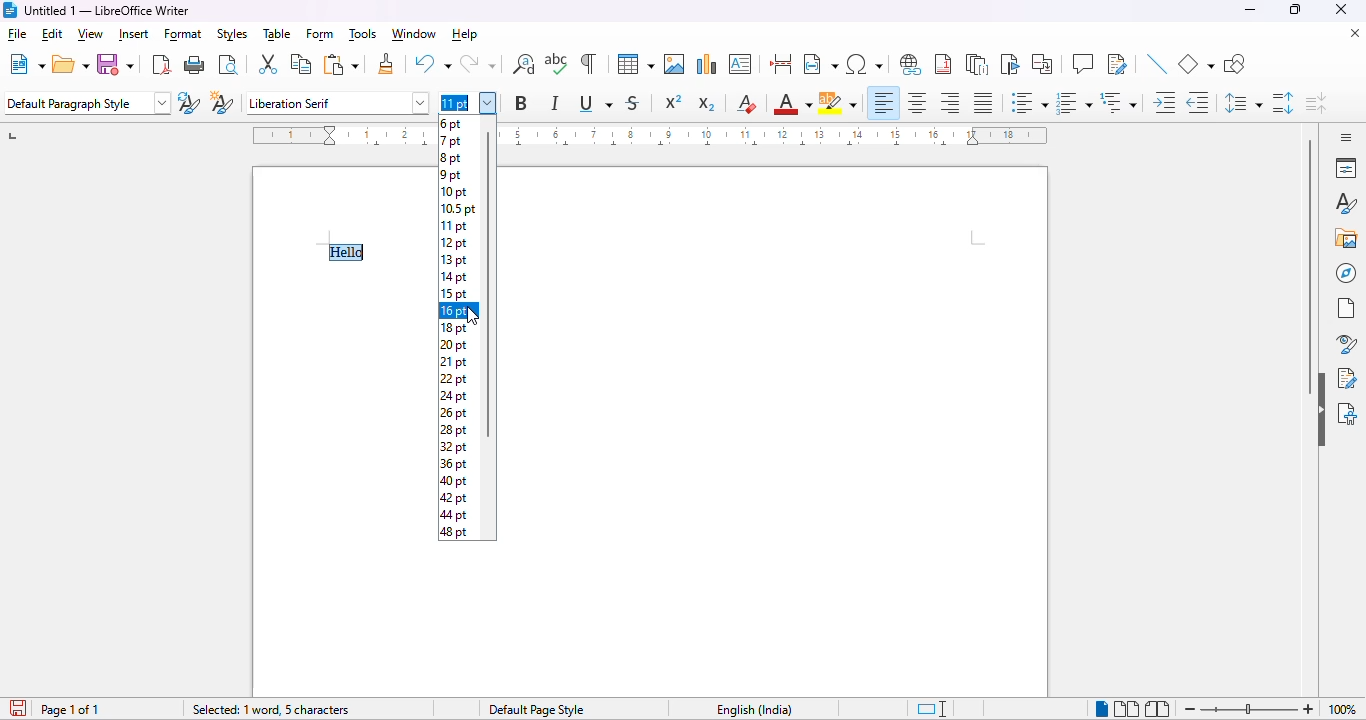 This screenshot has height=720, width=1366. I want to click on insert hyperlink, so click(912, 65).